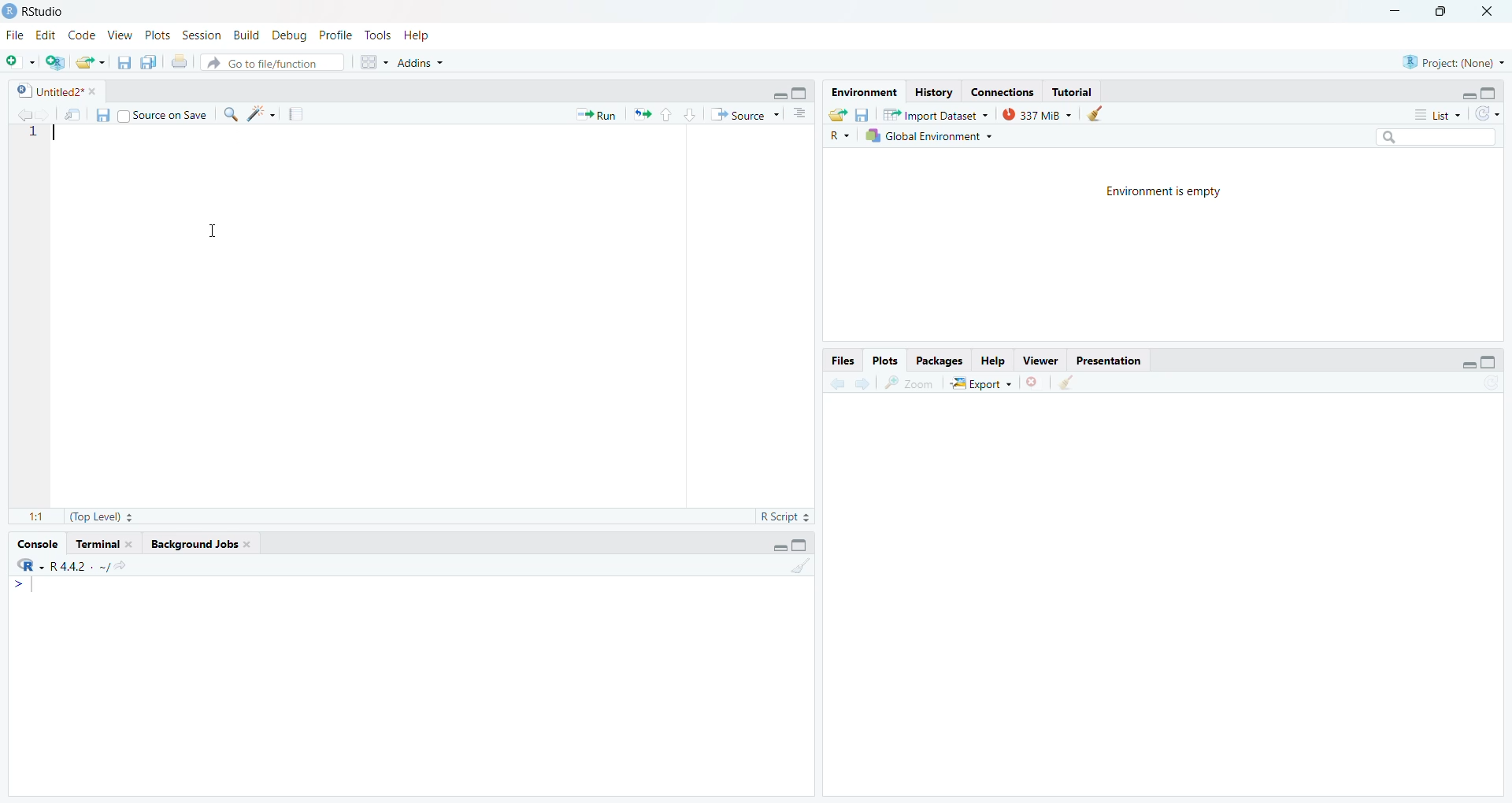 The height and width of the screenshot is (803, 1512). Describe the element at coordinates (991, 361) in the screenshot. I see `Help` at that location.